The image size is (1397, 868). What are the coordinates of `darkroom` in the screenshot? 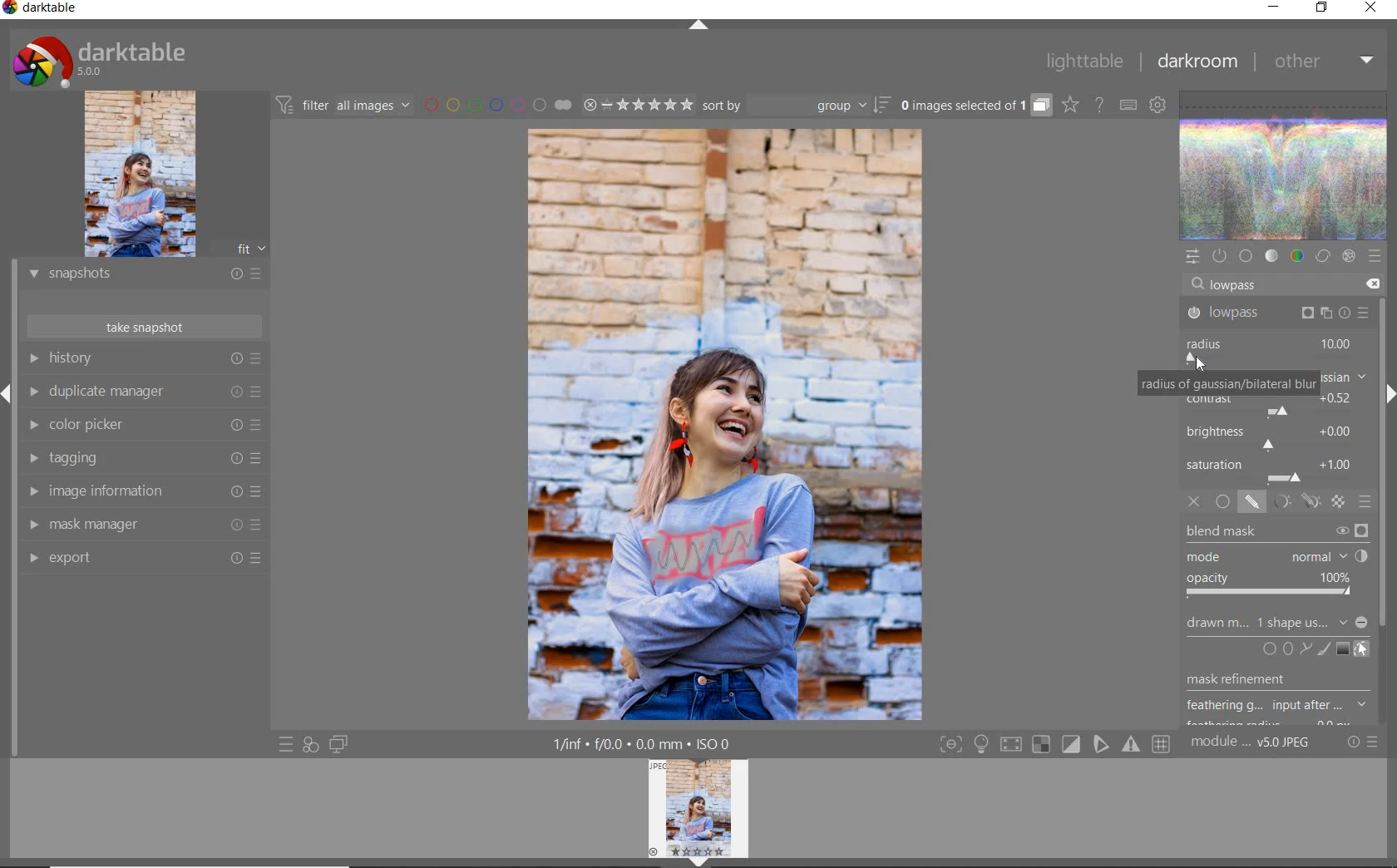 It's located at (1197, 62).